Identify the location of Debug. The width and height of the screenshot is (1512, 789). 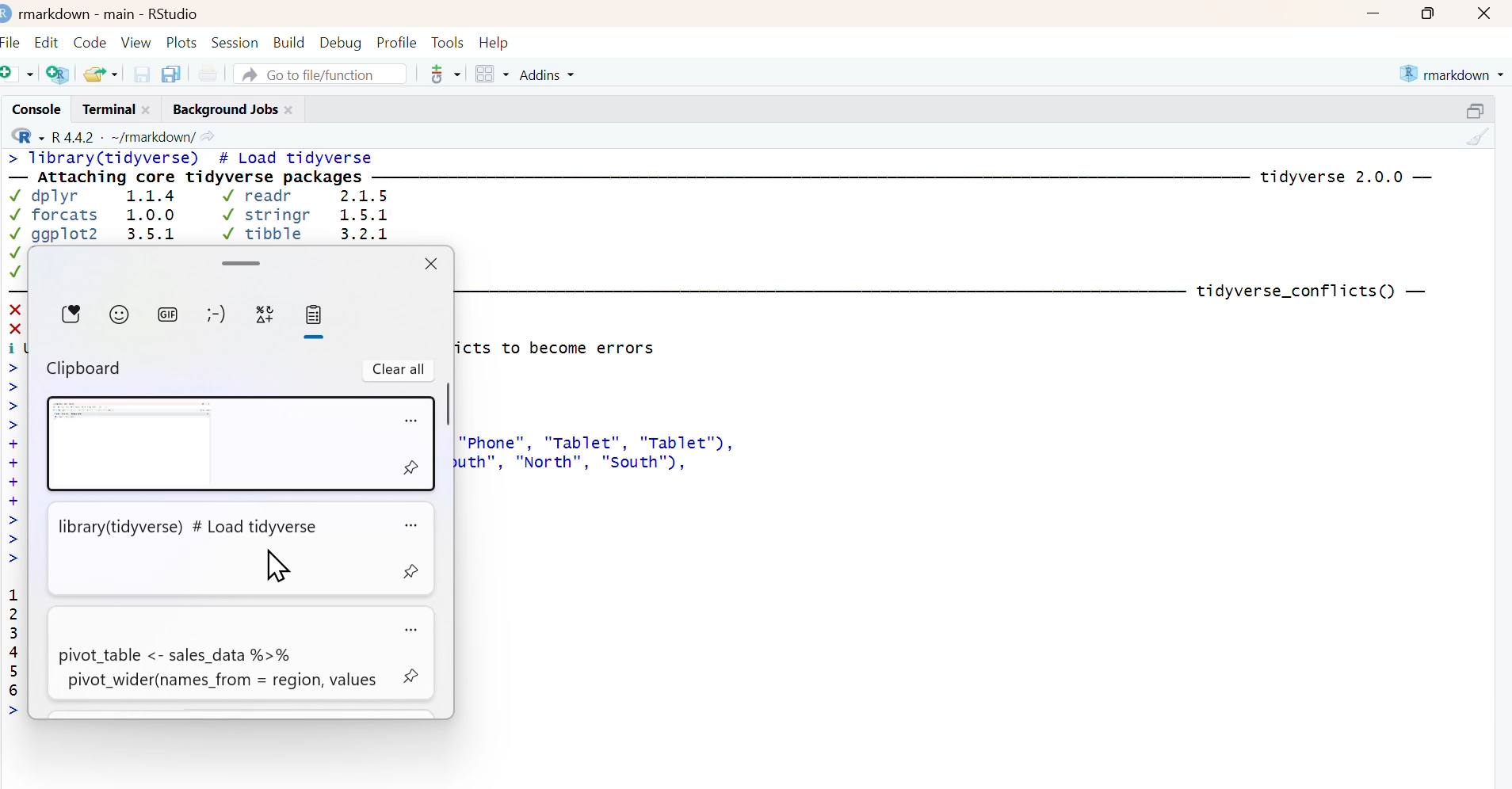
(341, 40).